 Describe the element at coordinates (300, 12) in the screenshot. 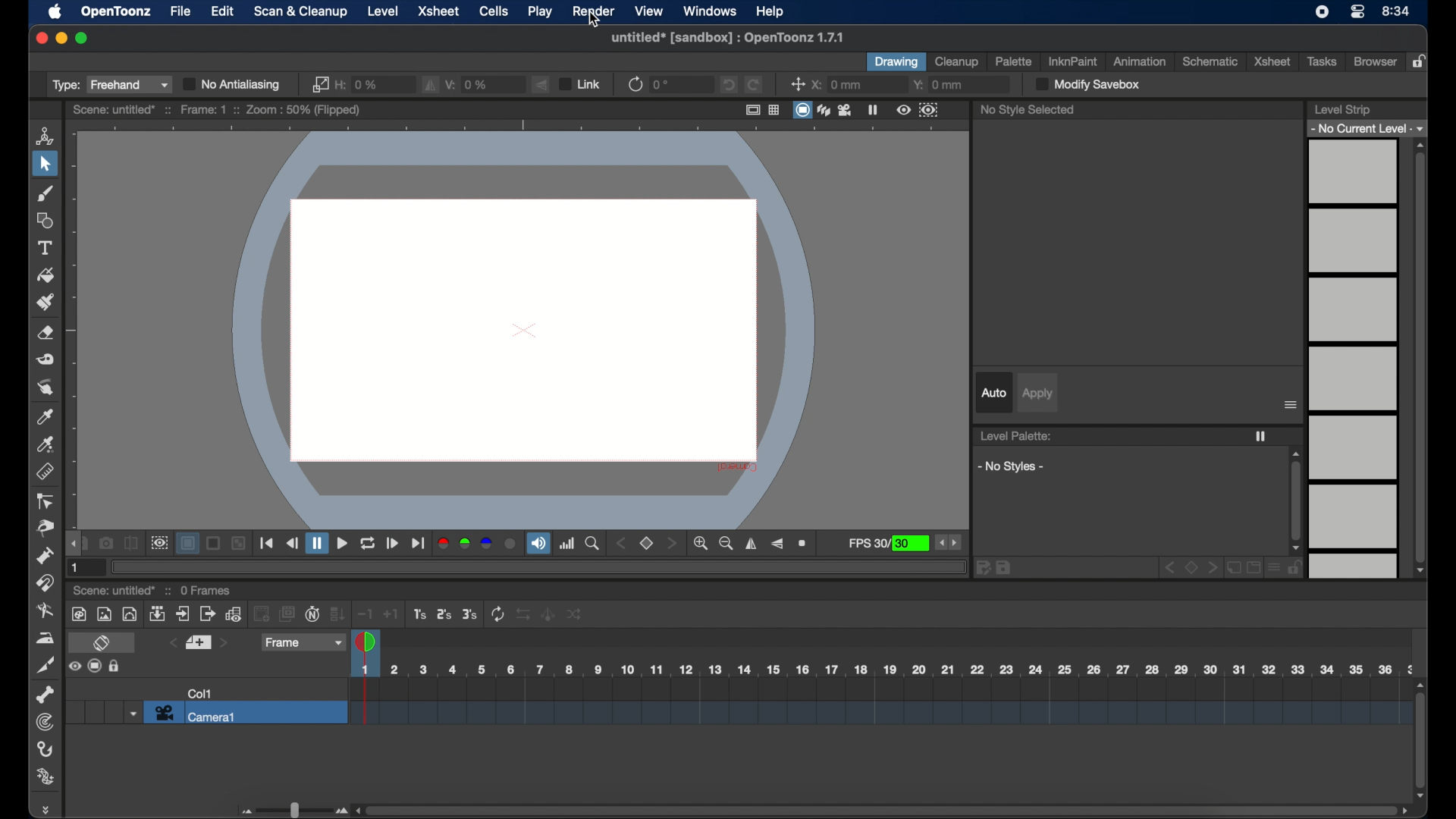

I see `scan & cleanup` at that location.